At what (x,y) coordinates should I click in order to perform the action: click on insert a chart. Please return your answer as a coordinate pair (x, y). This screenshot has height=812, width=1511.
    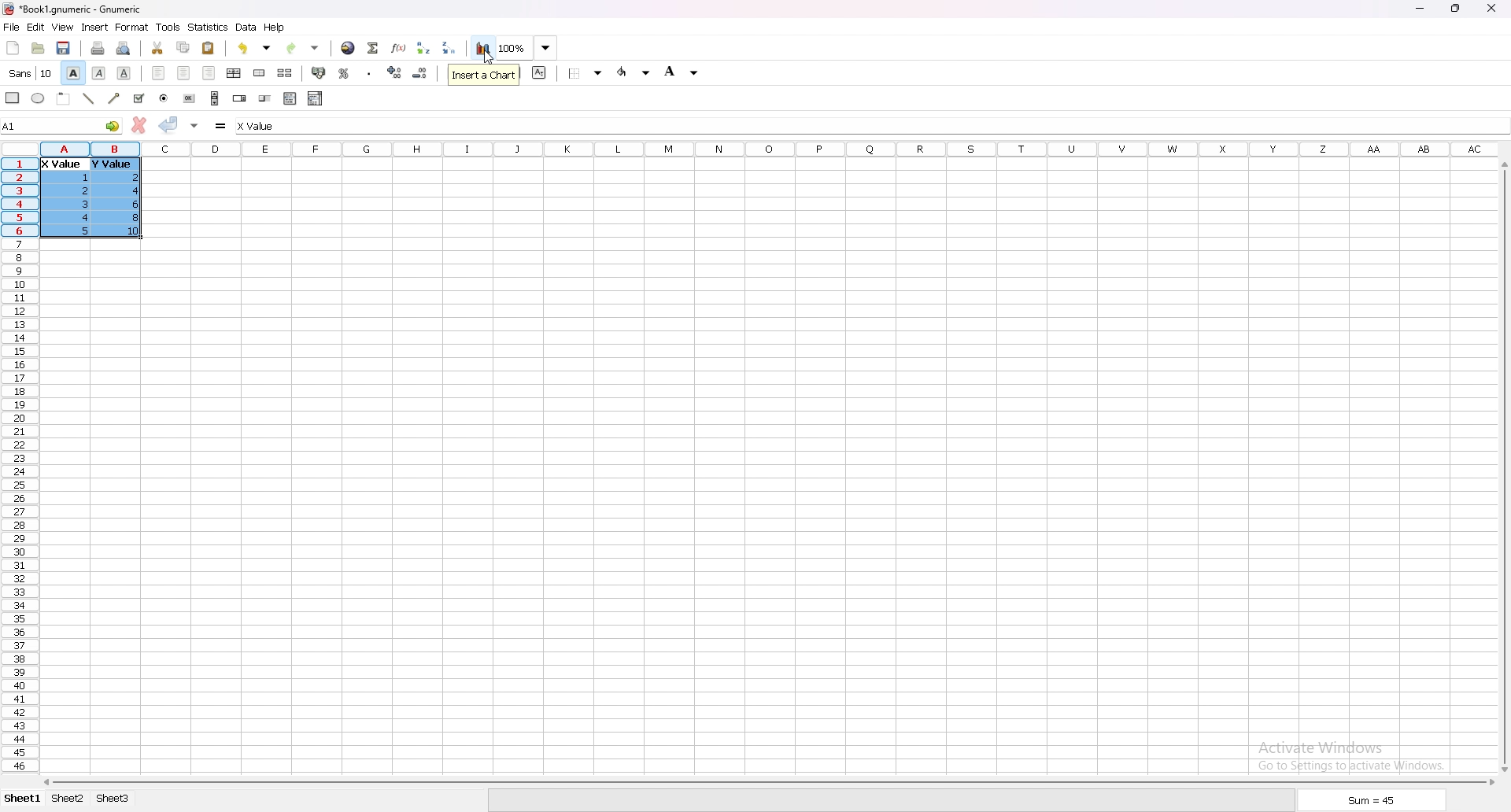
    Looking at the image, I should click on (483, 75).